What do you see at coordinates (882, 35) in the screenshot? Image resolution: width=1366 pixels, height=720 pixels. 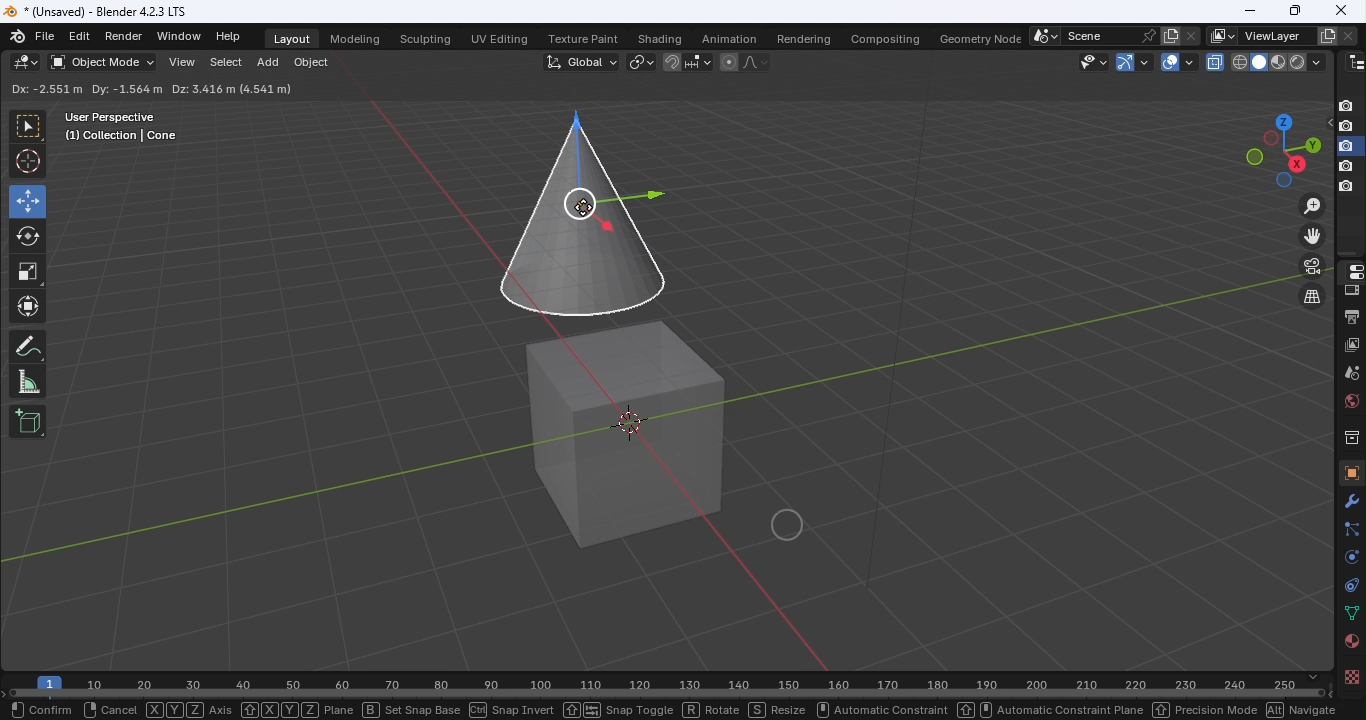 I see `Compositing` at bounding box center [882, 35].